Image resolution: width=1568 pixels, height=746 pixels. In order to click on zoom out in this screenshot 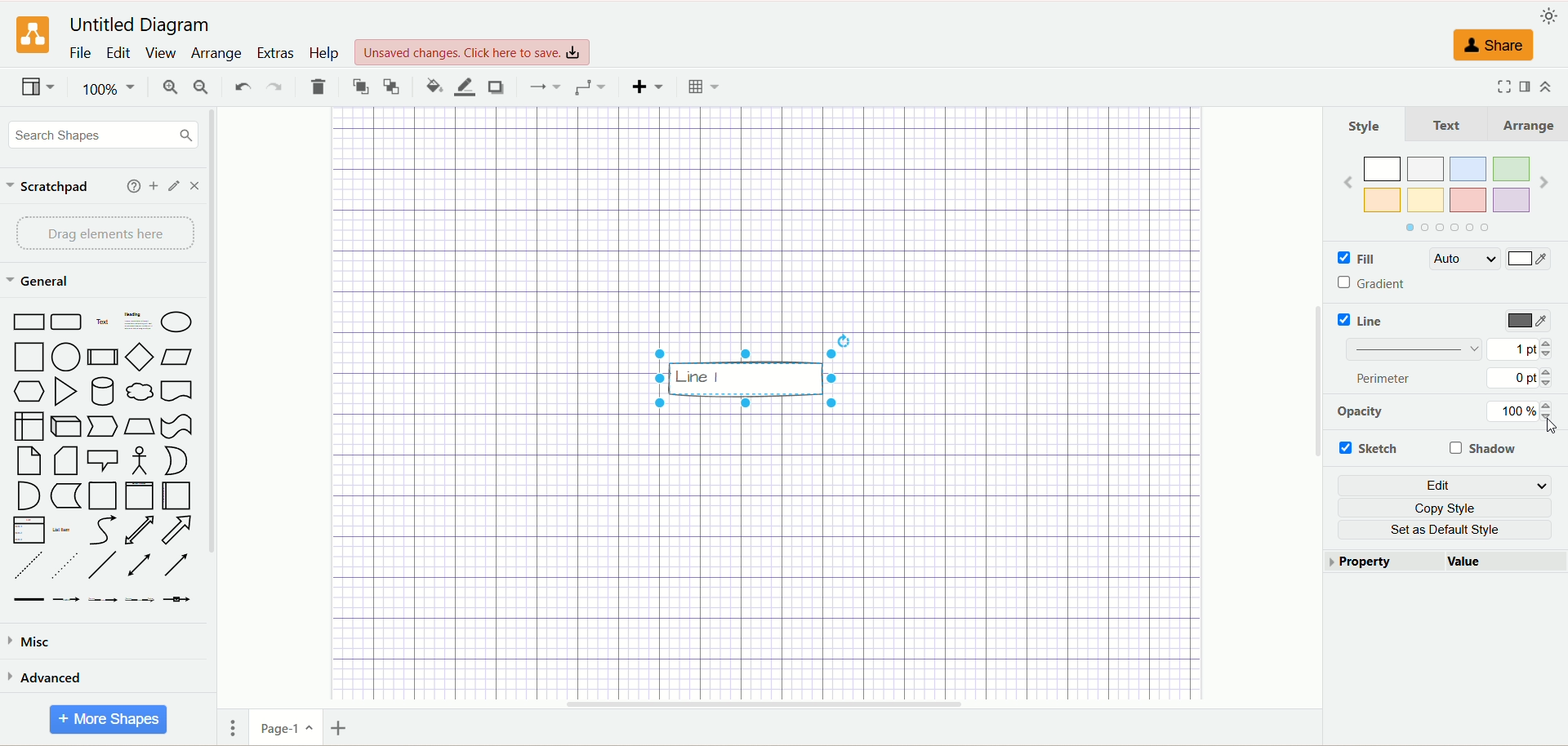, I will do `click(201, 87)`.